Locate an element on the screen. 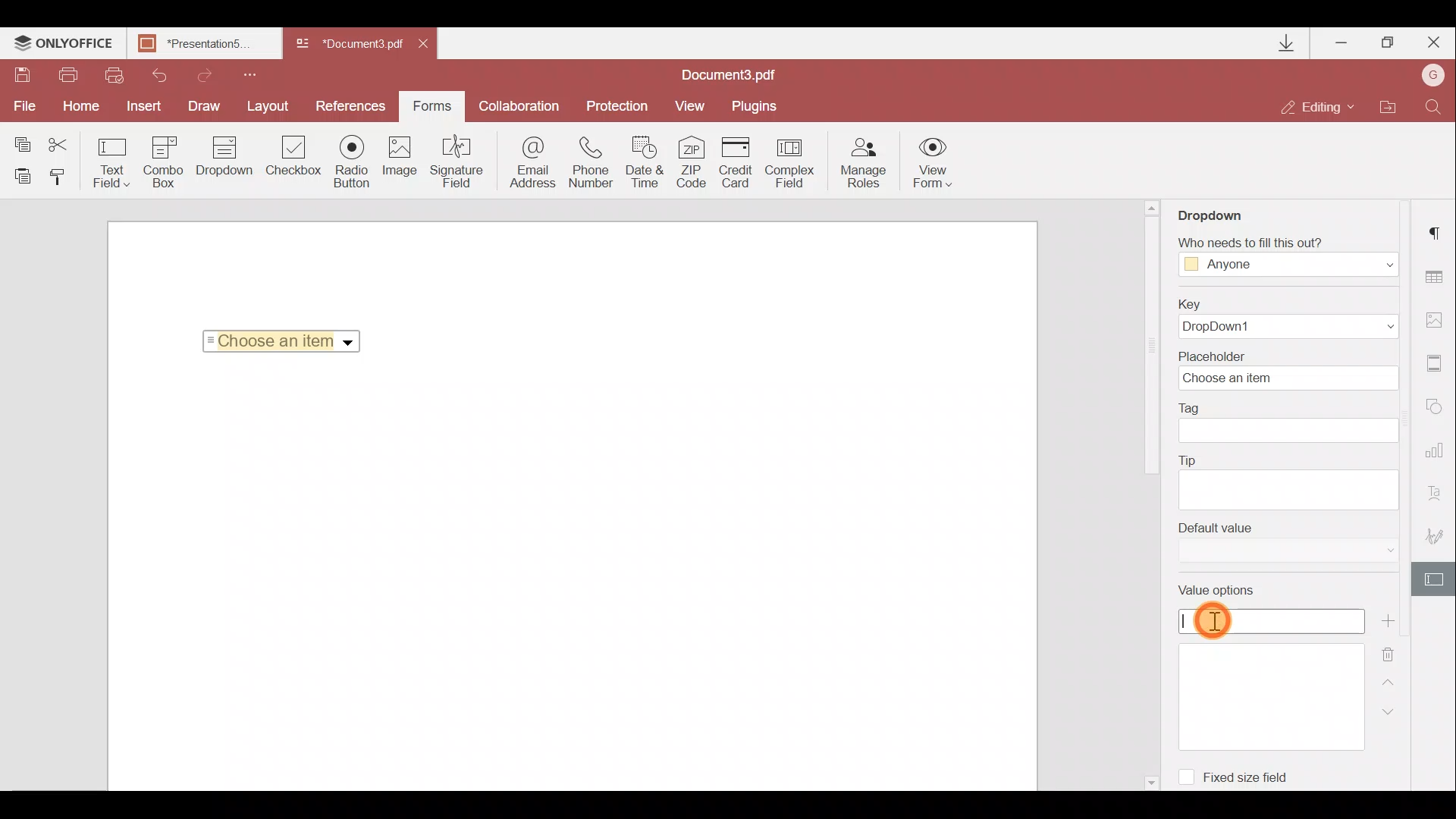  Account name is located at coordinates (1429, 77).